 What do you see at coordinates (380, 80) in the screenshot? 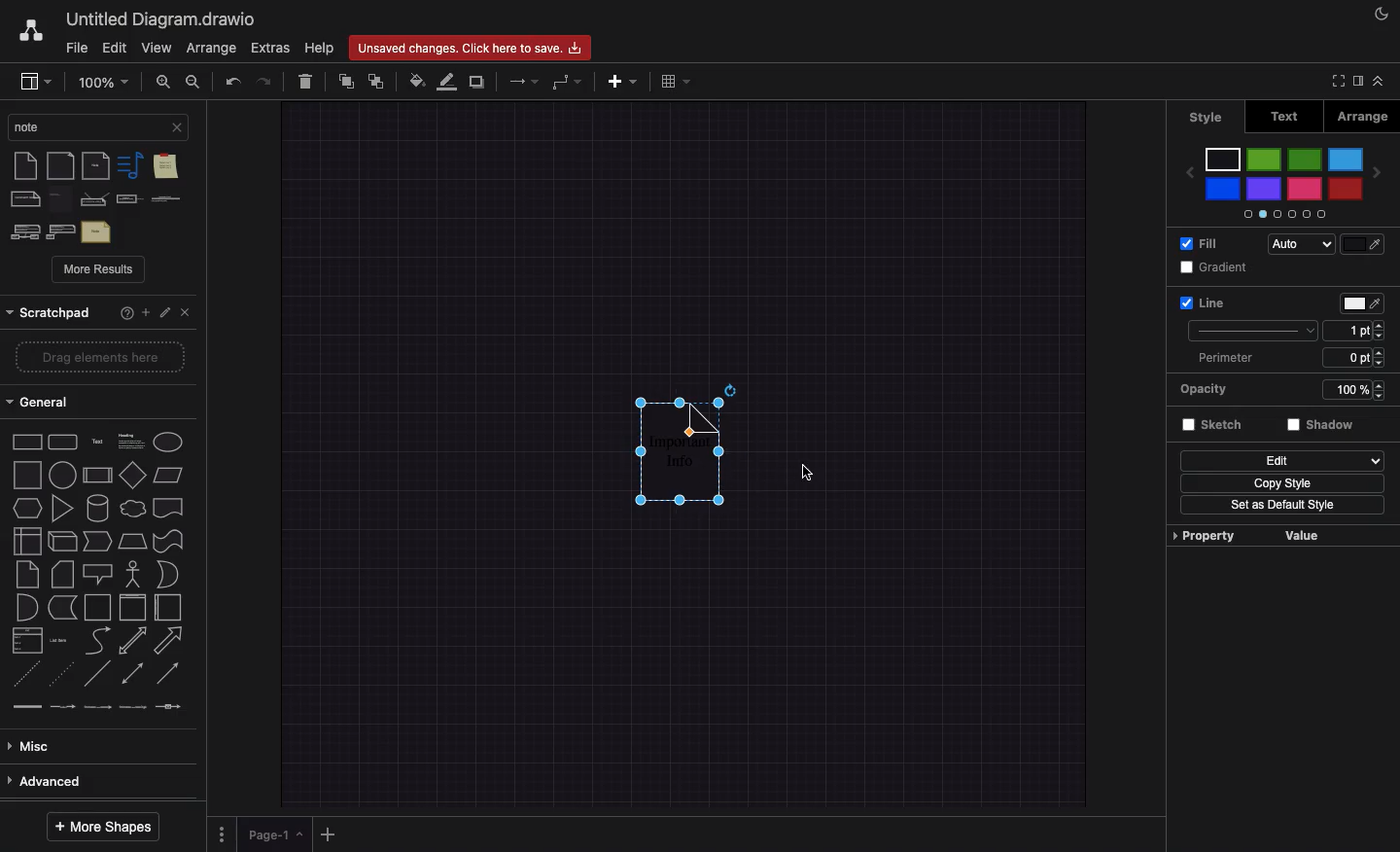
I see `To back` at bounding box center [380, 80].